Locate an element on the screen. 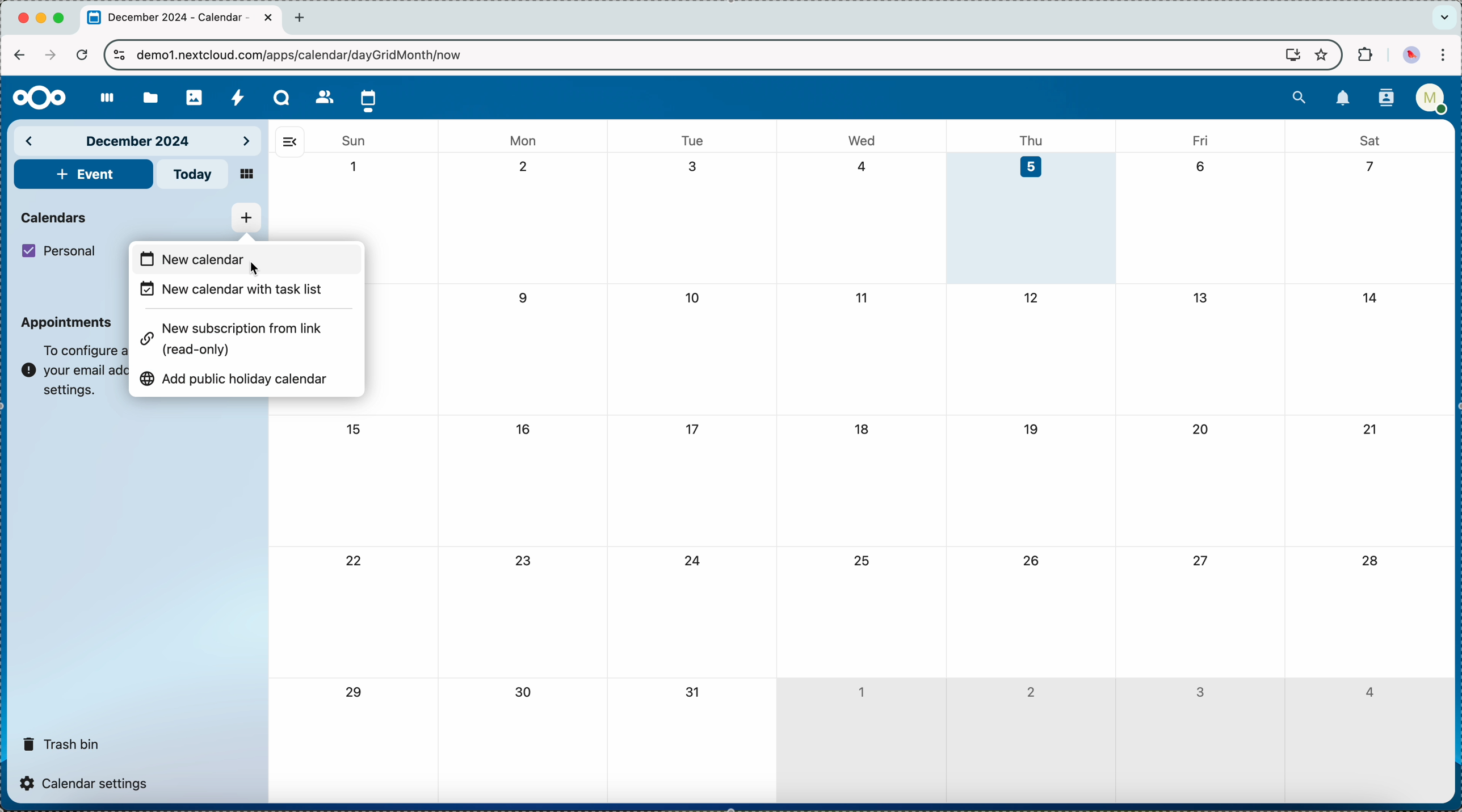  cursor is located at coordinates (257, 269).